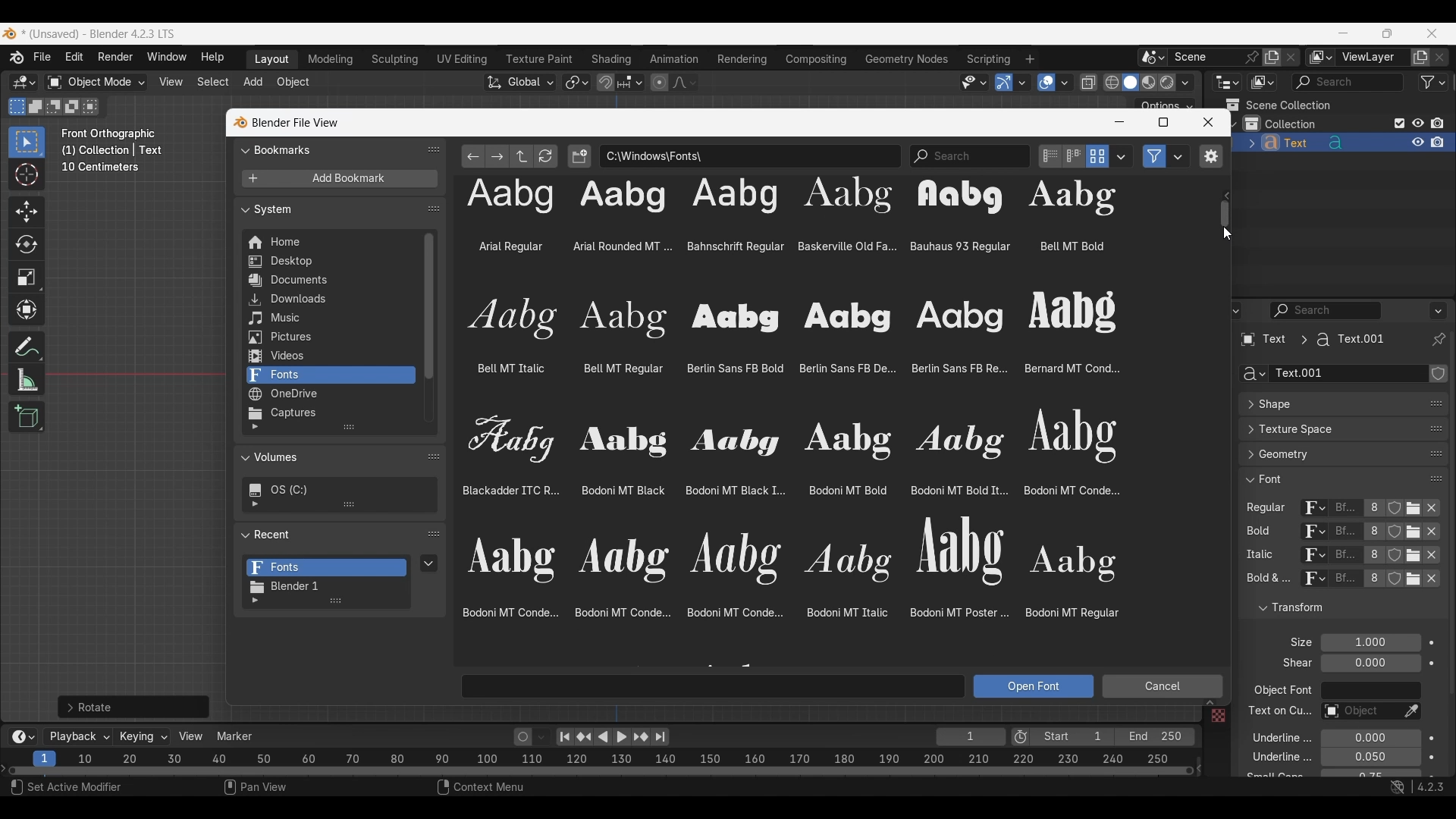 Image resolution: width=1456 pixels, height=819 pixels. I want to click on Software logo, so click(9, 33).